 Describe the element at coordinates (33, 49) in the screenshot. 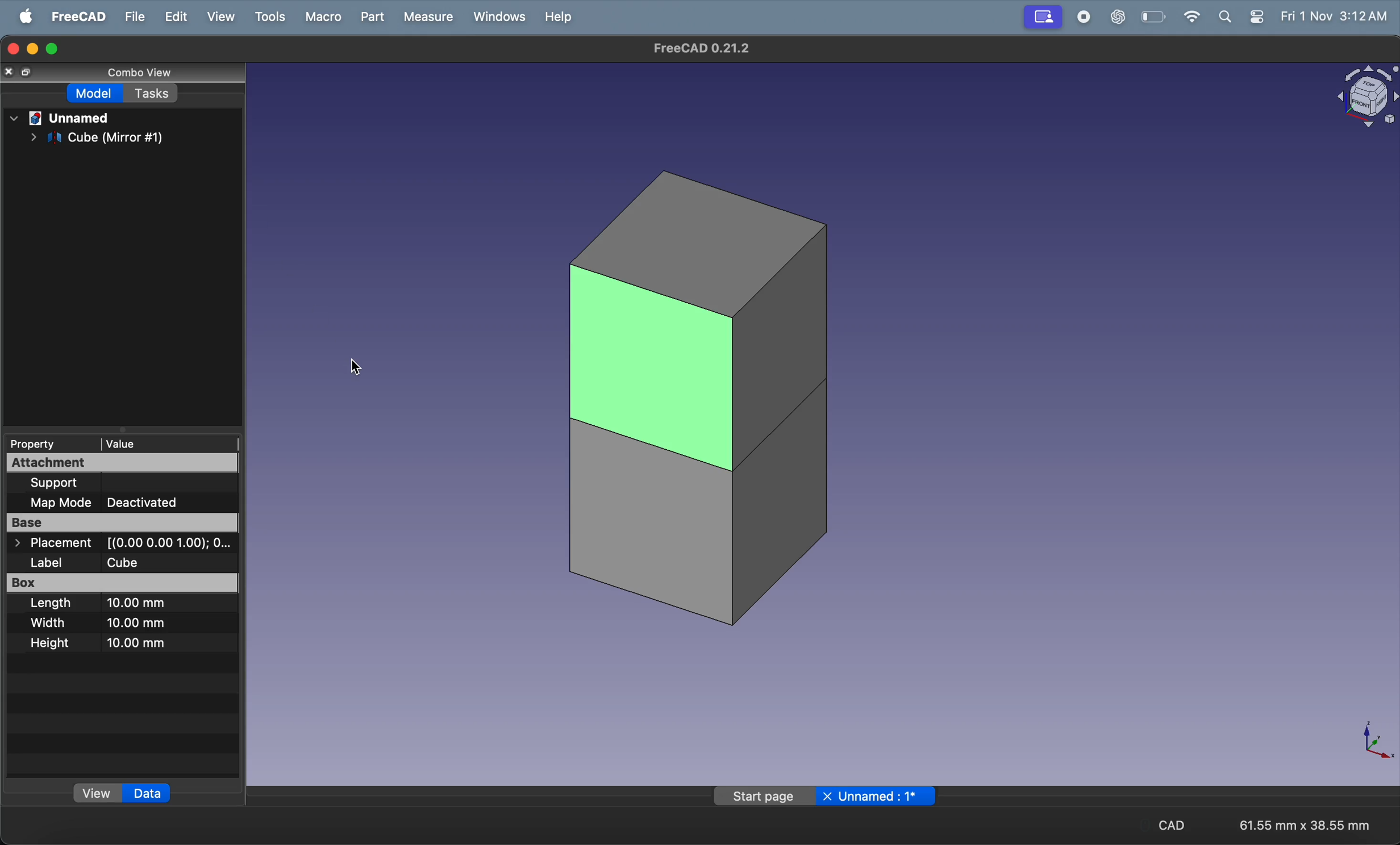

I see `minimize` at that location.